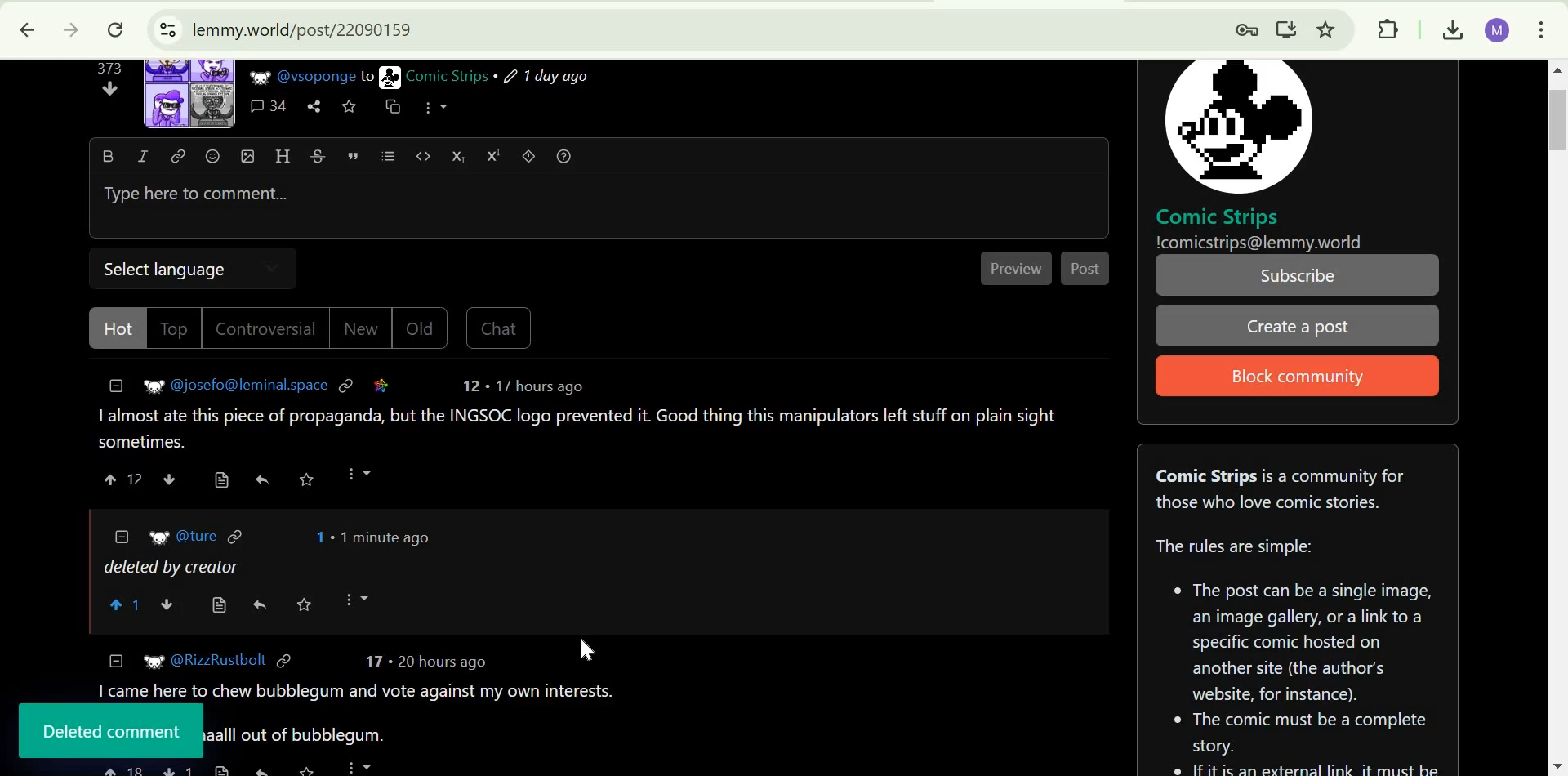 This screenshot has width=1568, height=776. I want to click on view source, so click(224, 769).